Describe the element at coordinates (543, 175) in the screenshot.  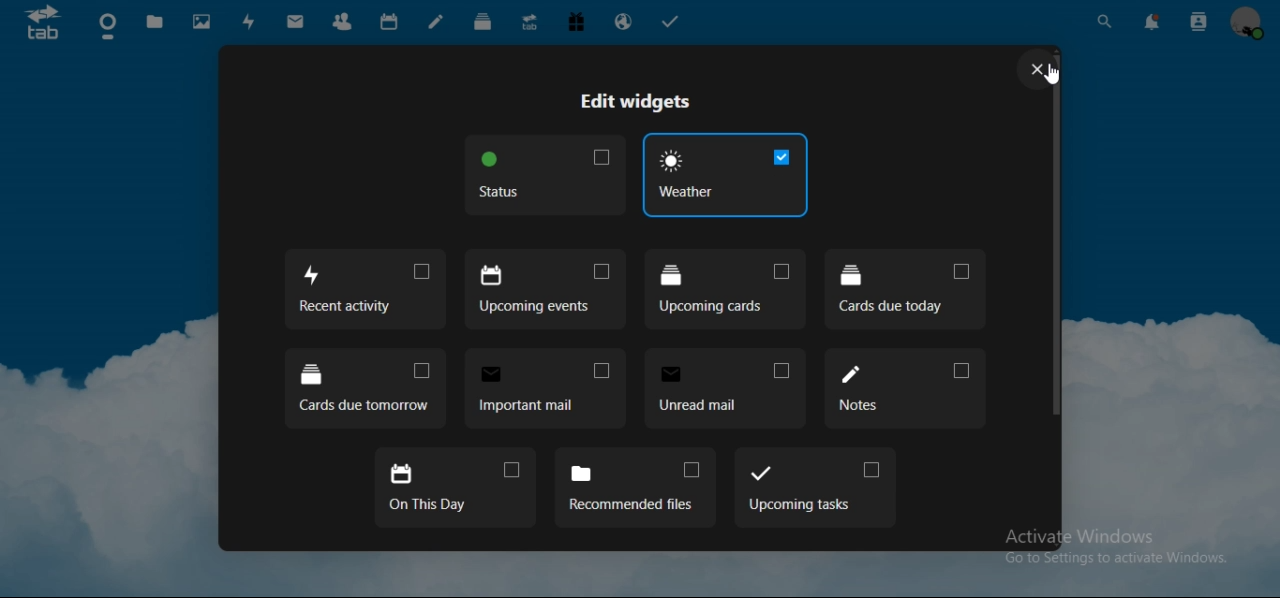
I see `status` at that location.